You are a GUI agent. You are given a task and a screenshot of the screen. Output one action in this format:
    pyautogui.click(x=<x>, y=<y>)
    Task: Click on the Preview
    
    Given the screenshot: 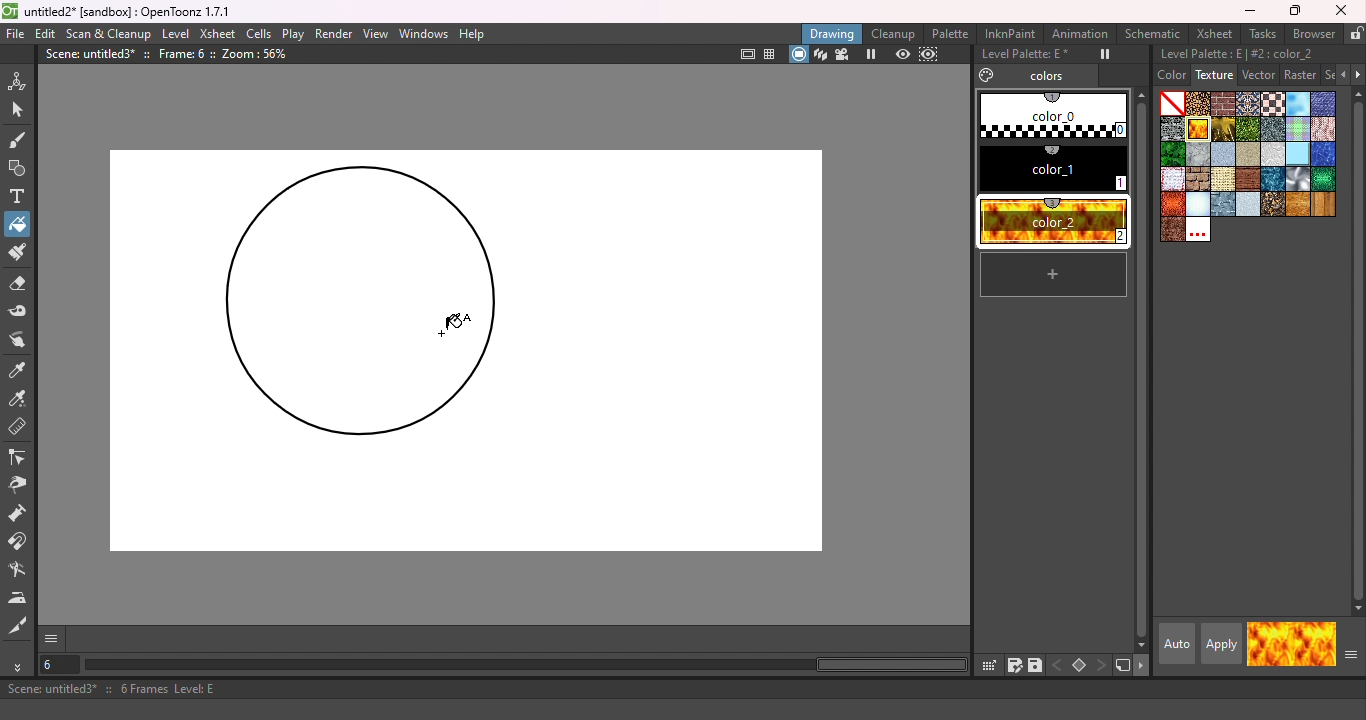 What is the action you would take?
    pyautogui.click(x=900, y=54)
    